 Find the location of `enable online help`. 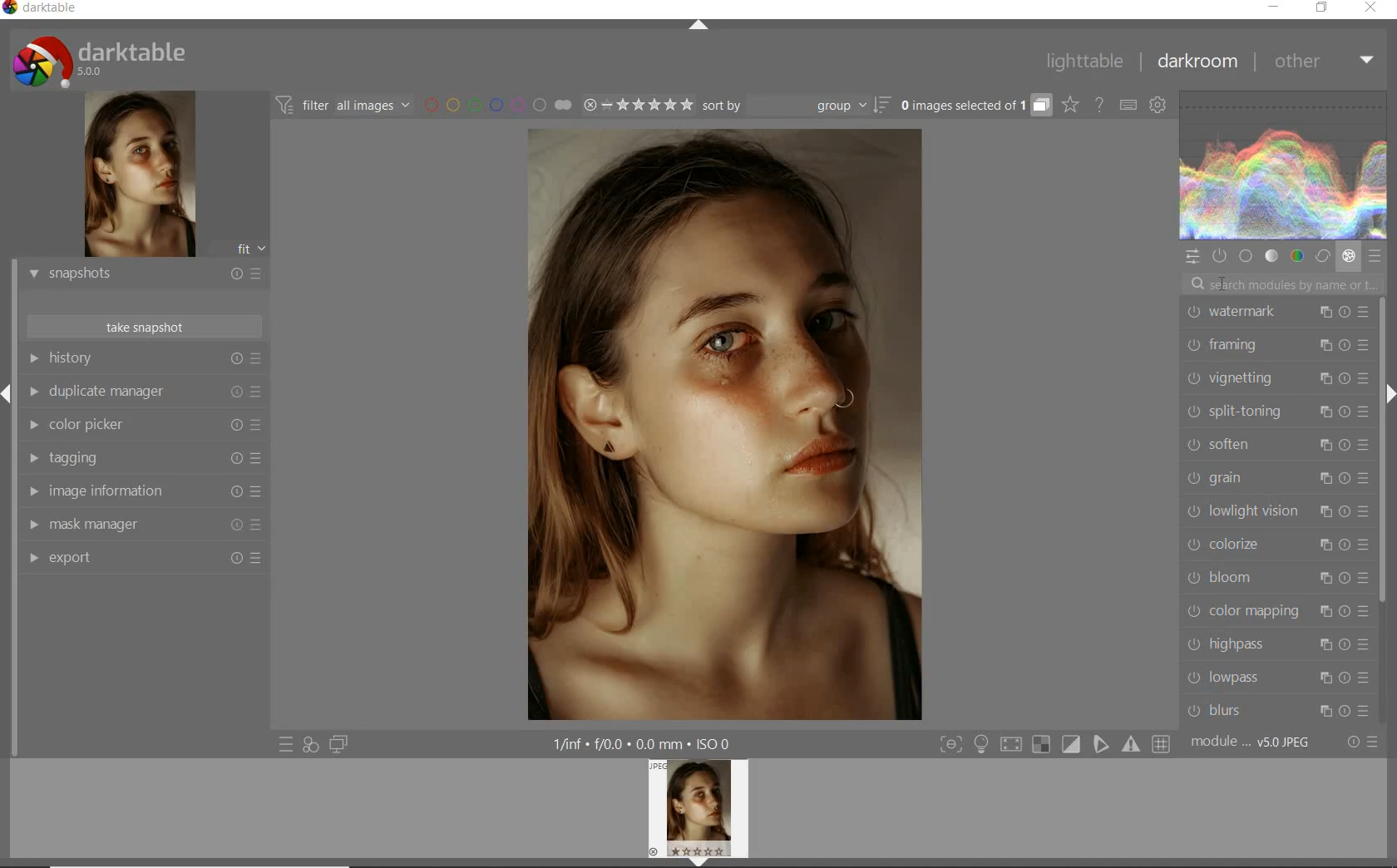

enable online help is located at coordinates (1099, 106).